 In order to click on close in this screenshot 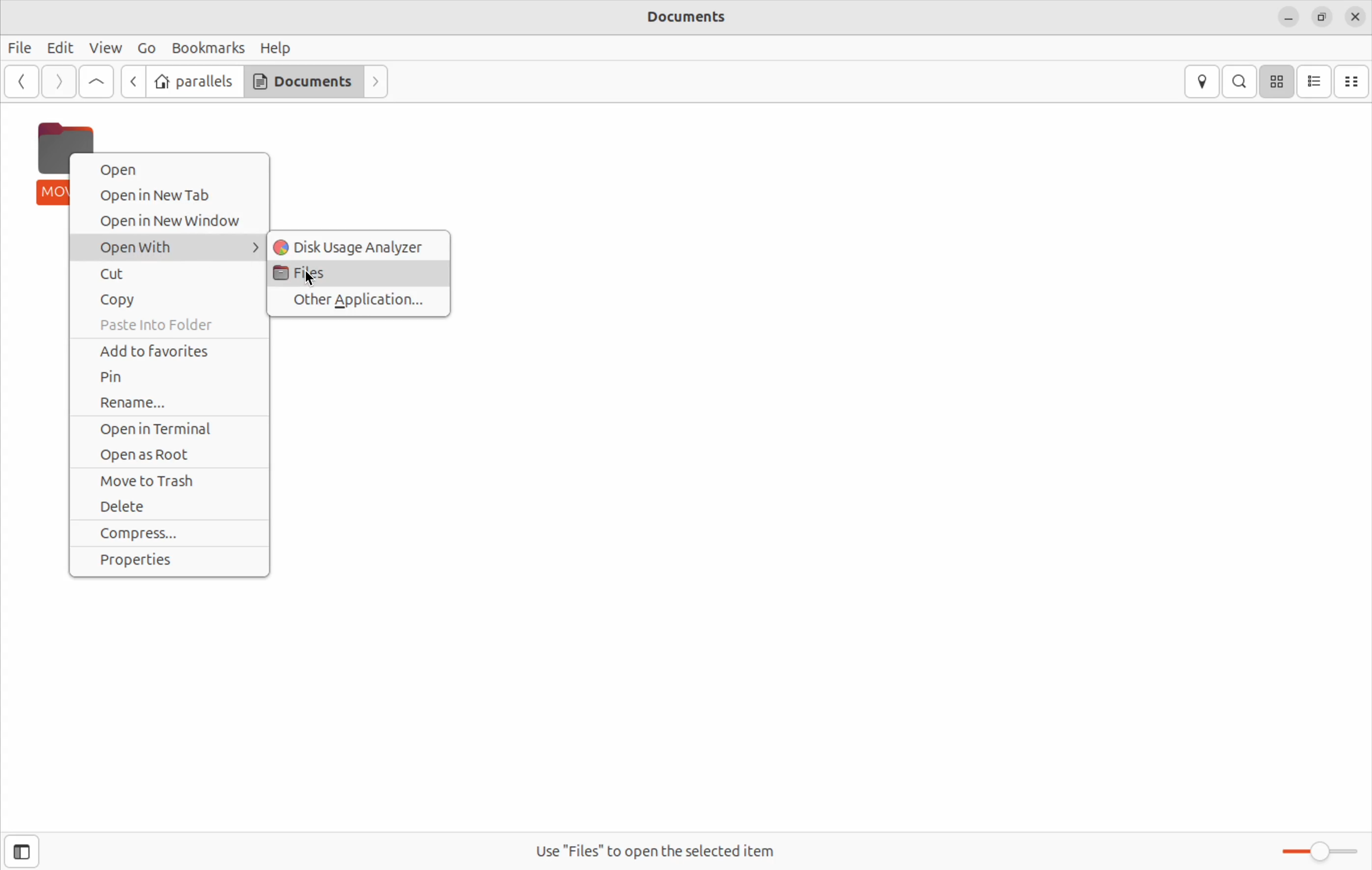, I will do `click(1355, 14)`.